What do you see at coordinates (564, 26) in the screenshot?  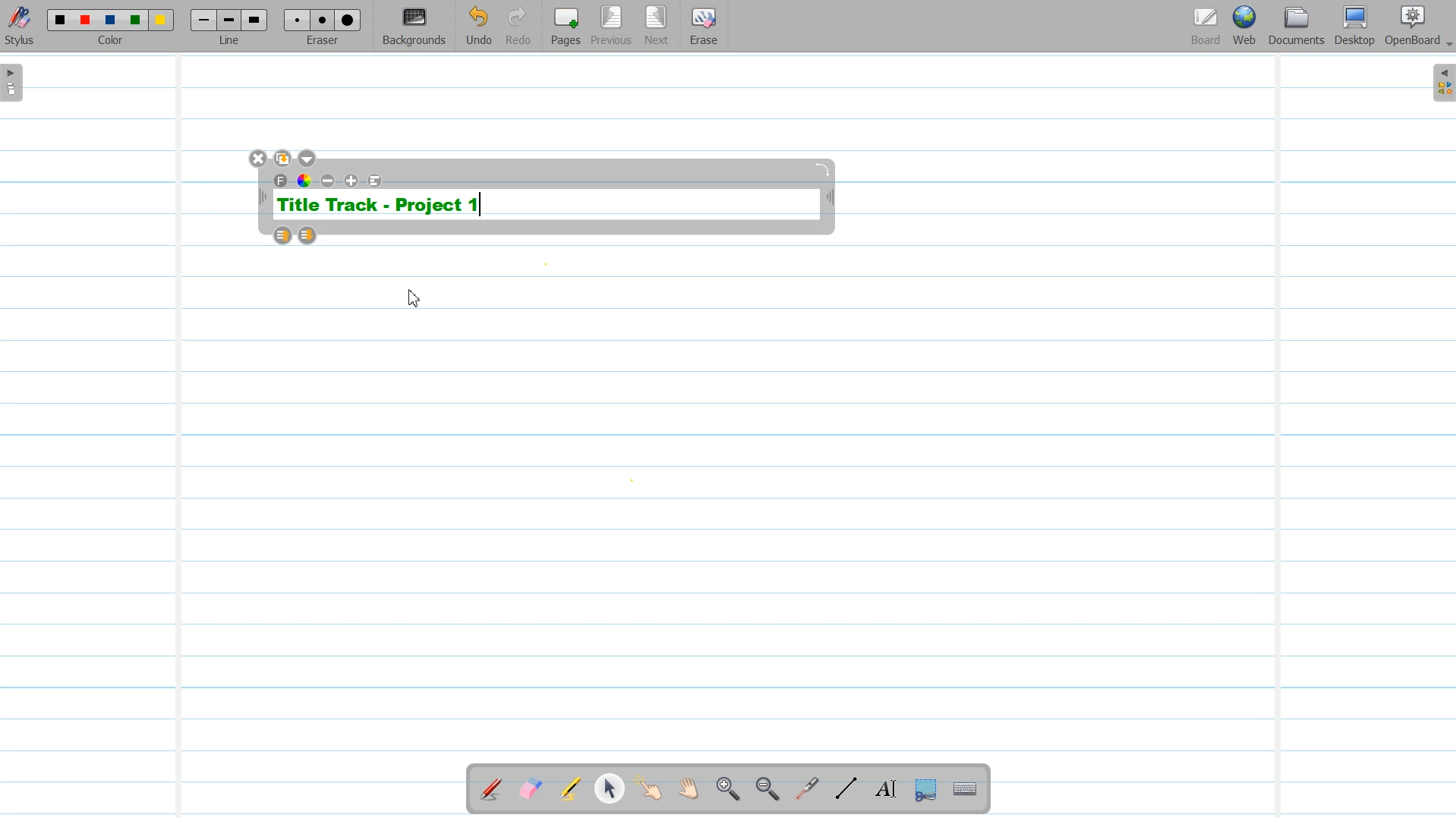 I see `Pages` at bounding box center [564, 26].